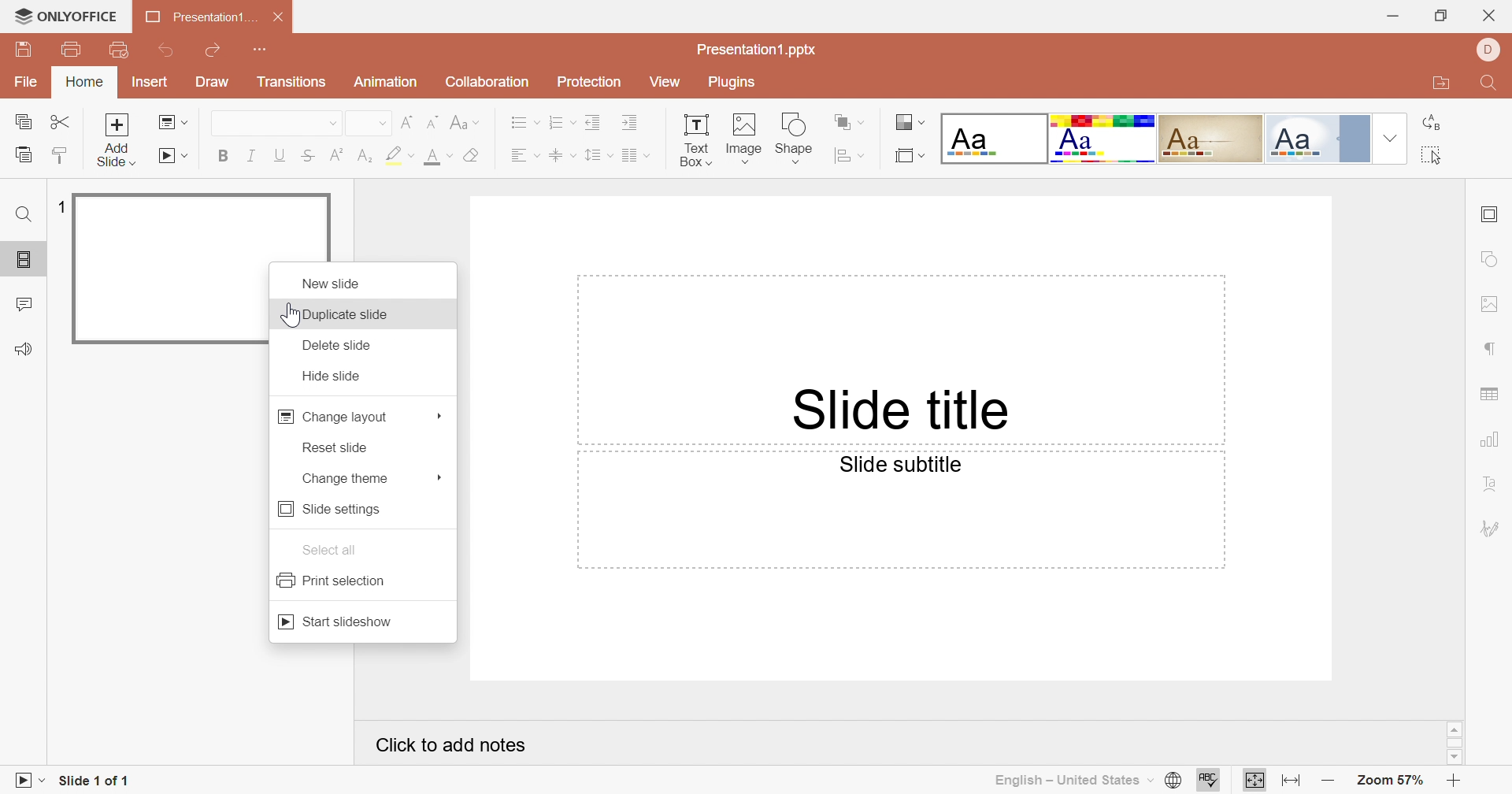 The height and width of the screenshot is (794, 1512). Describe the element at coordinates (339, 447) in the screenshot. I see `Reset slide` at that location.